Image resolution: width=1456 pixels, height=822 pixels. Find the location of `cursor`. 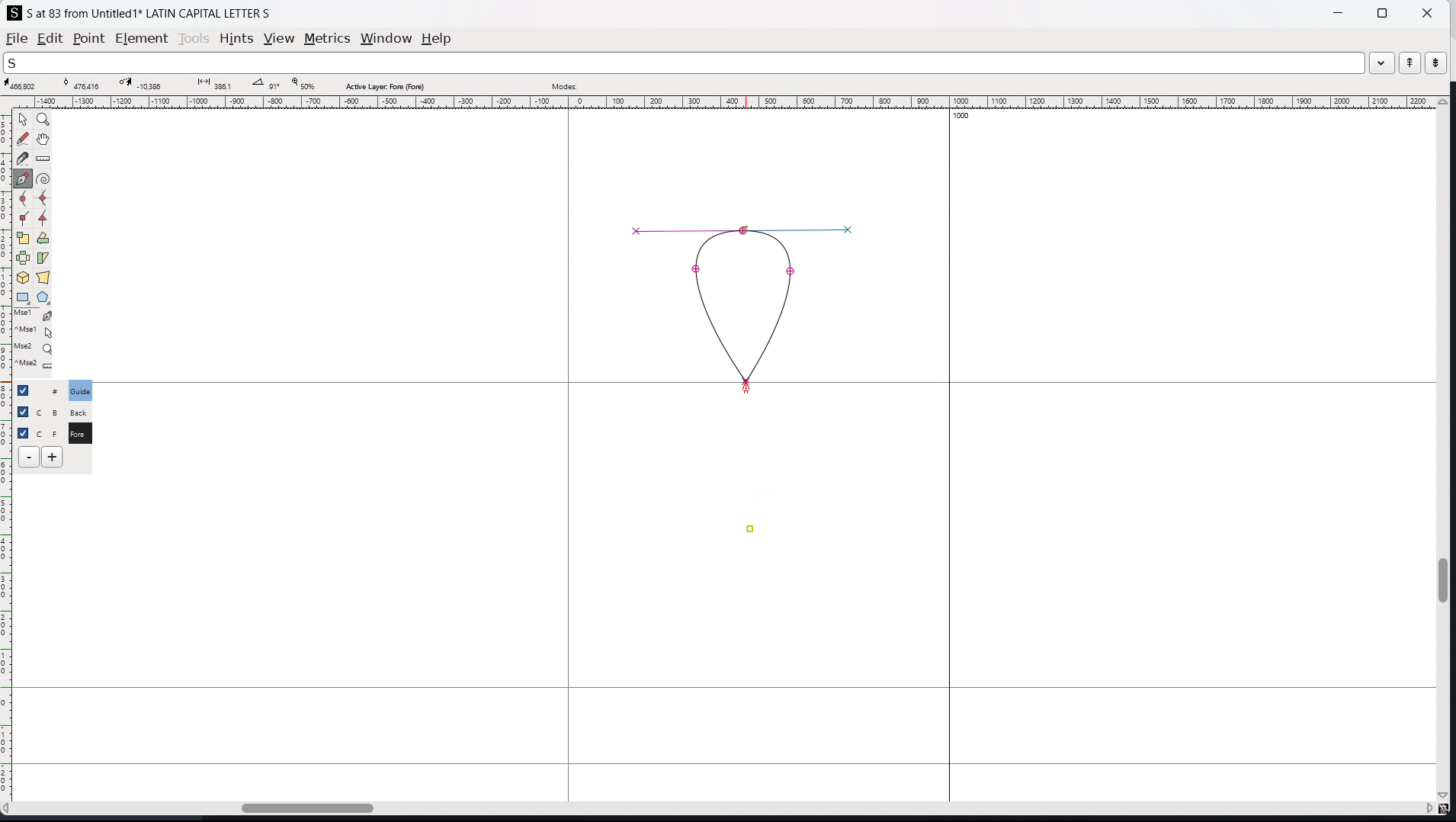

cursor is located at coordinates (746, 387).